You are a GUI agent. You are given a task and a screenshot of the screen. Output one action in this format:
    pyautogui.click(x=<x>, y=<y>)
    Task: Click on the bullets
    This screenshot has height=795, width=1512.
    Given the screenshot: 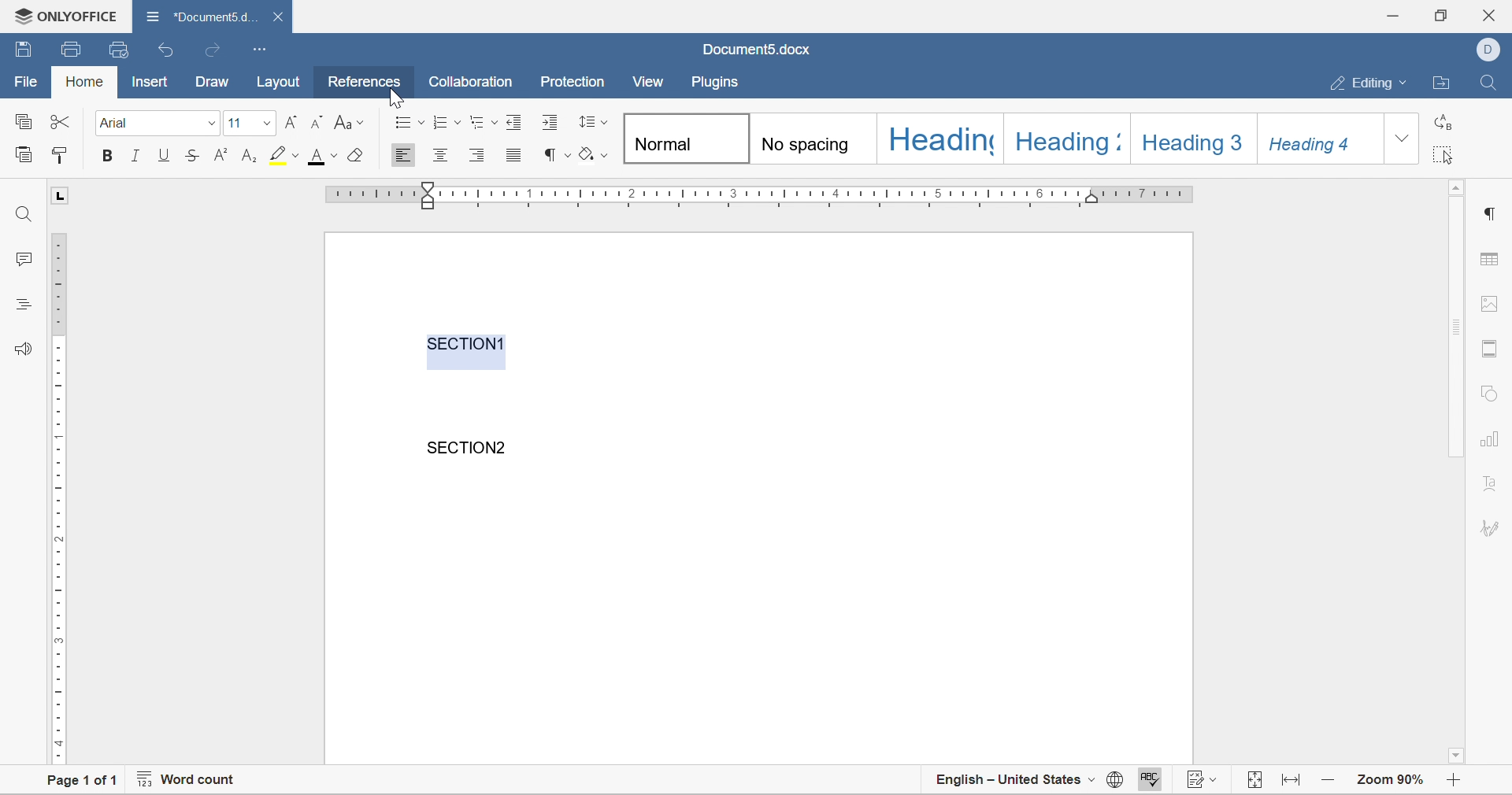 What is the action you would take?
    pyautogui.click(x=411, y=121)
    